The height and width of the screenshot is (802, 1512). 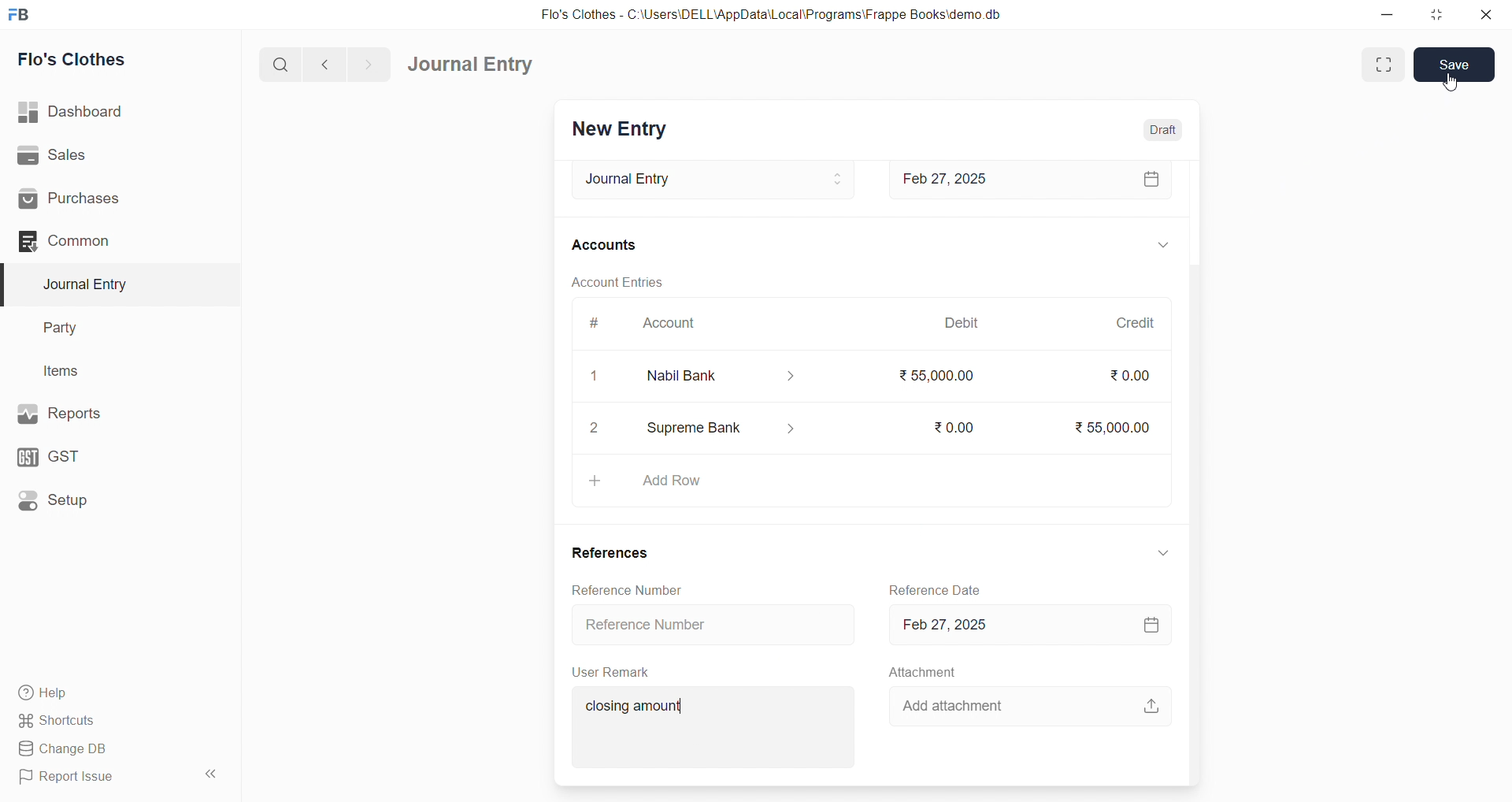 What do you see at coordinates (1436, 13) in the screenshot?
I see `resize` at bounding box center [1436, 13].